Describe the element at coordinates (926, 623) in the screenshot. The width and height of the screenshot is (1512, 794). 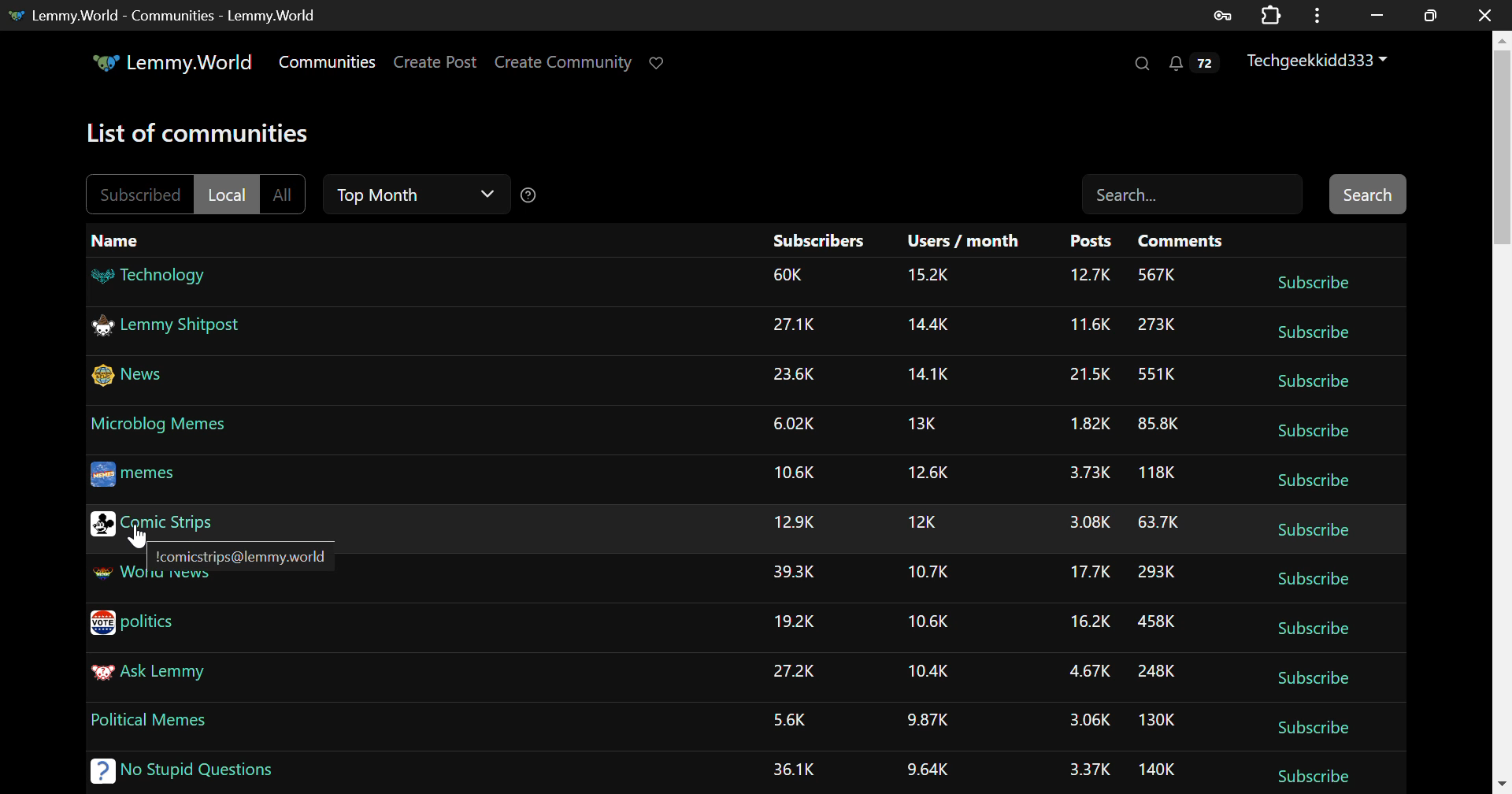
I see `Amount` at that location.